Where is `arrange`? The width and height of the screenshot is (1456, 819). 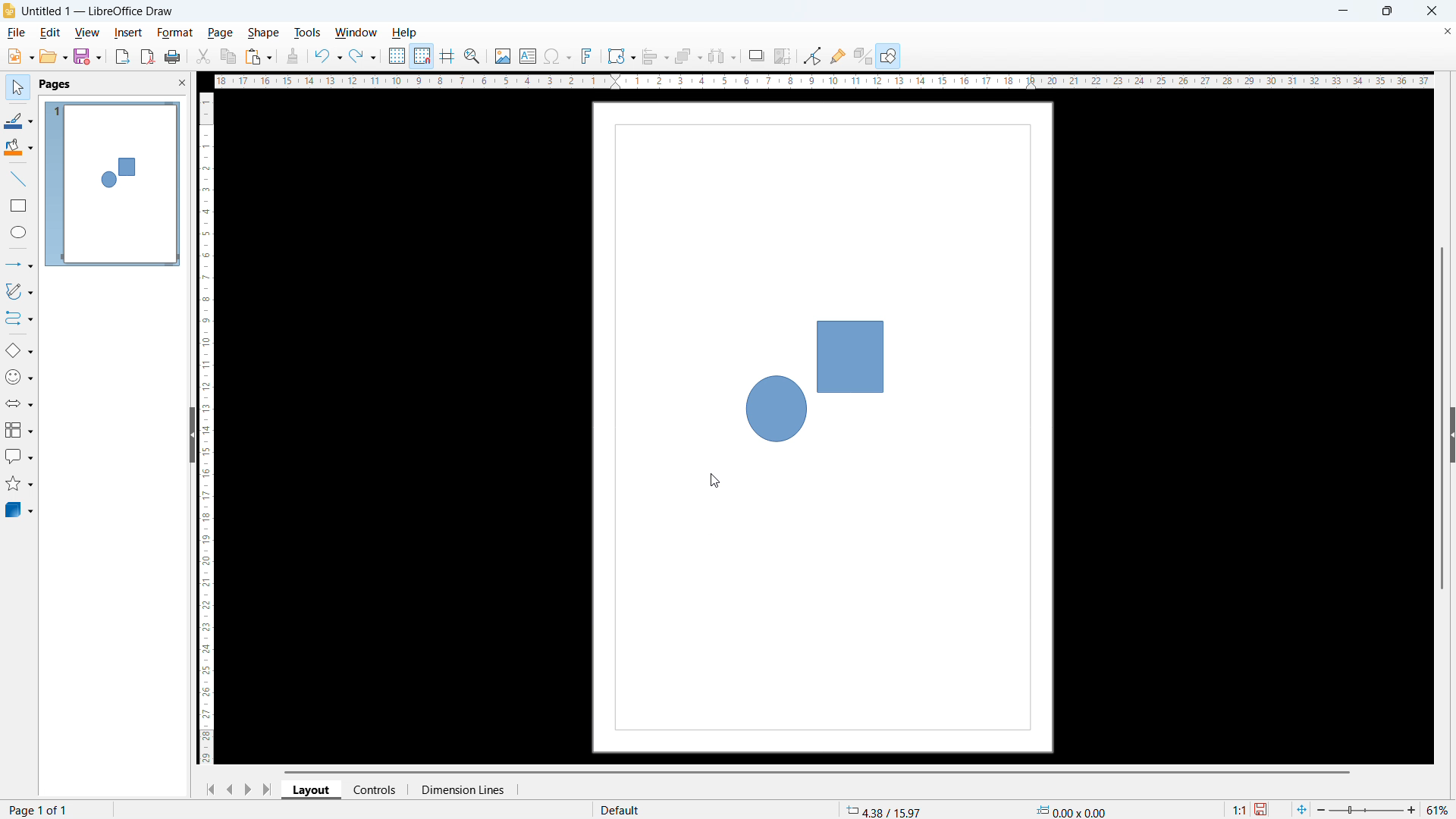
arrange is located at coordinates (687, 57).